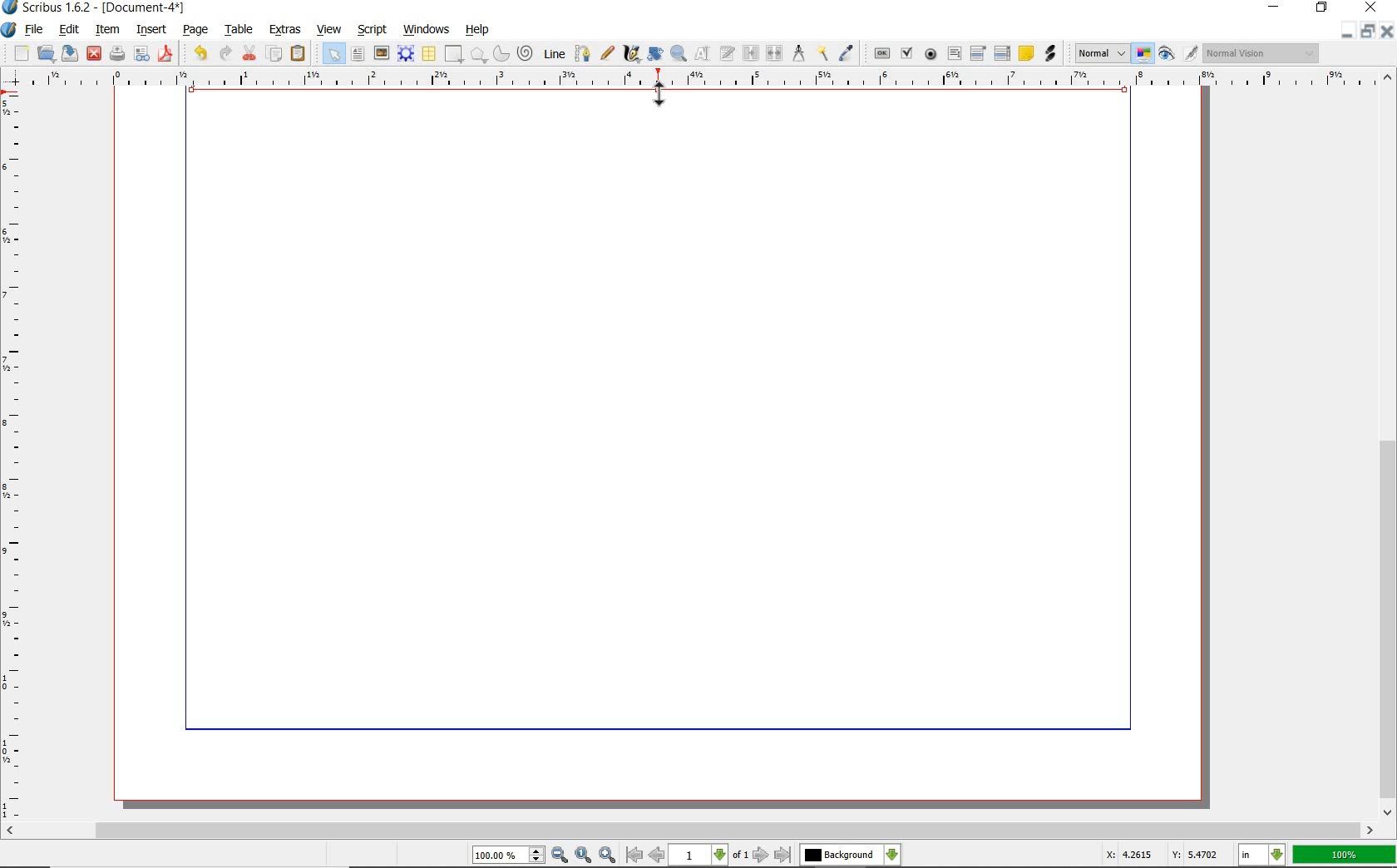 This screenshot has height=868, width=1397. What do you see at coordinates (227, 53) in the screenshot?
I see `redo` at bounding box center [227, 53].